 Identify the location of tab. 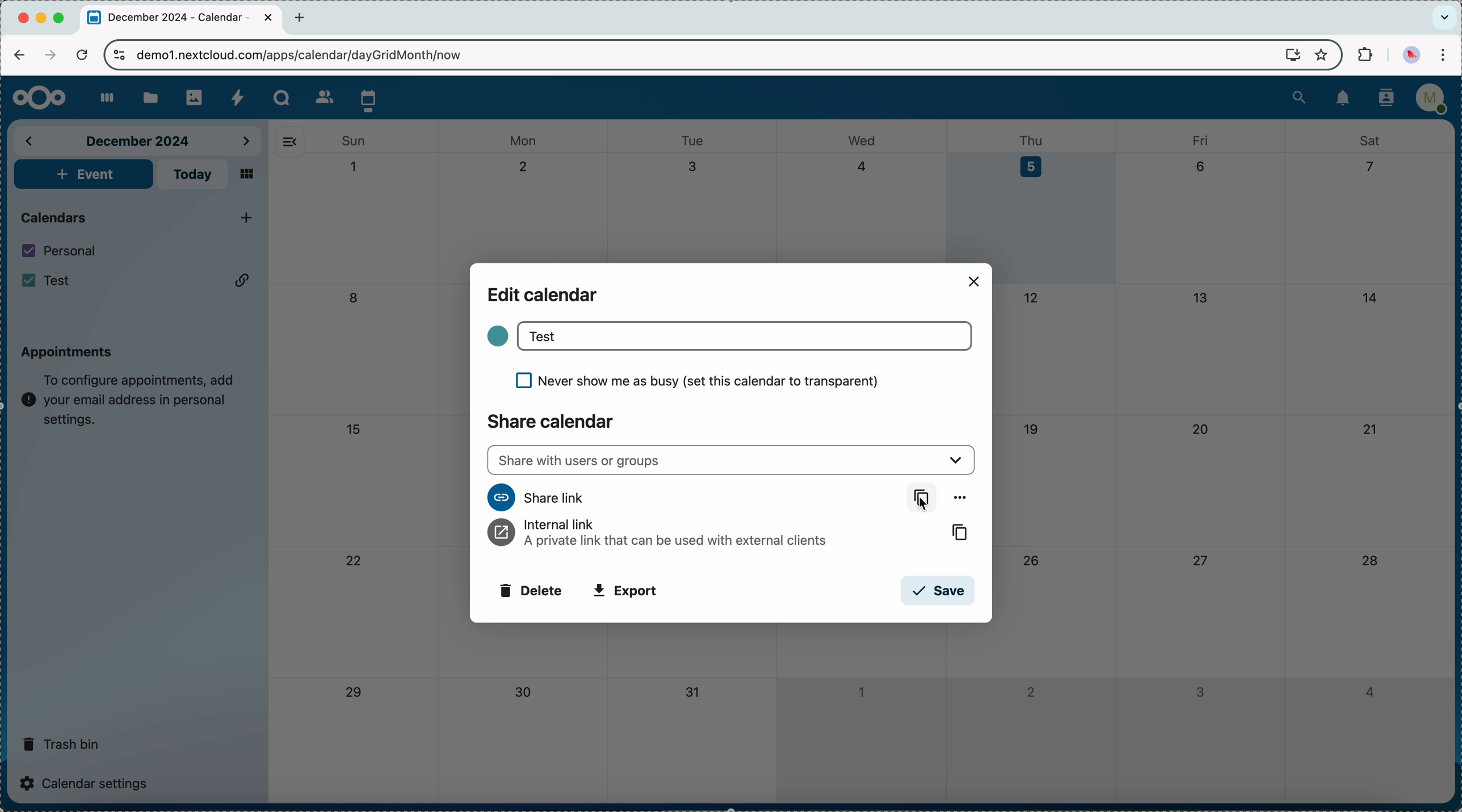
(182, 19).